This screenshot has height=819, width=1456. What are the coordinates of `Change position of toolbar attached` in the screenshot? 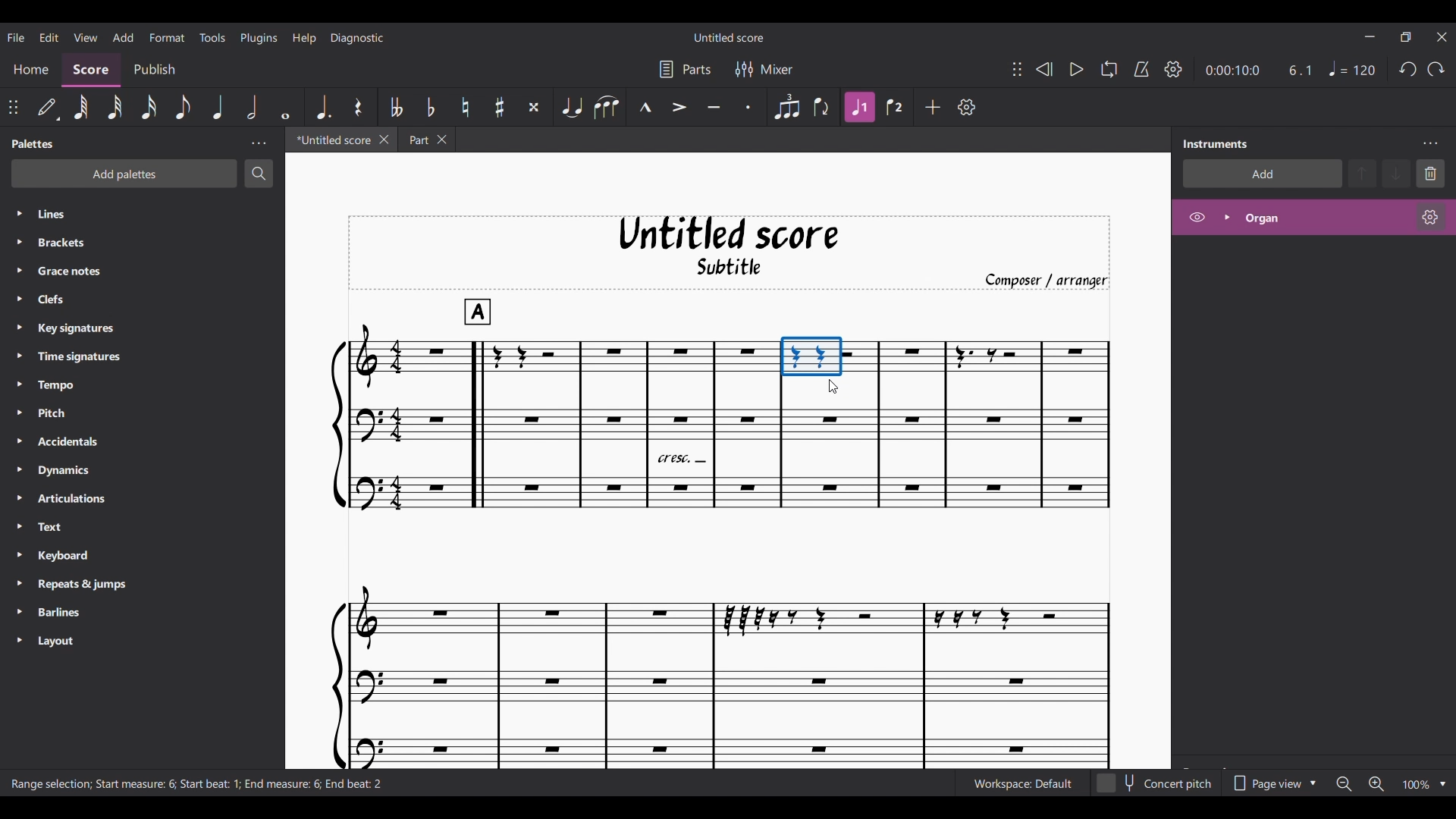 It's located at (14, 108).